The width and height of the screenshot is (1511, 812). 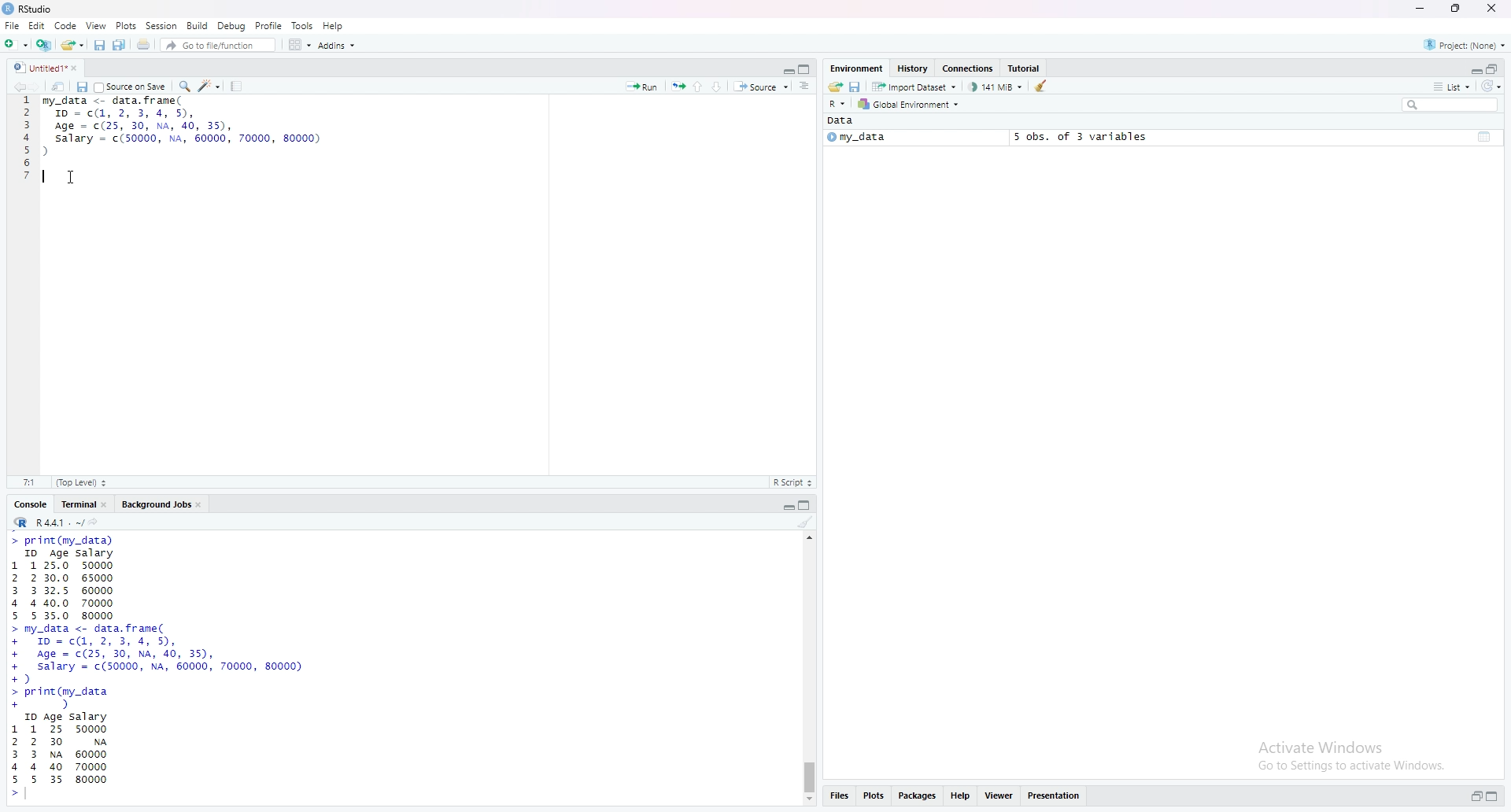 What do you see at coordinates (131, 87) in the screenshot?
I see `source on save` at bounding box center [131, 87].